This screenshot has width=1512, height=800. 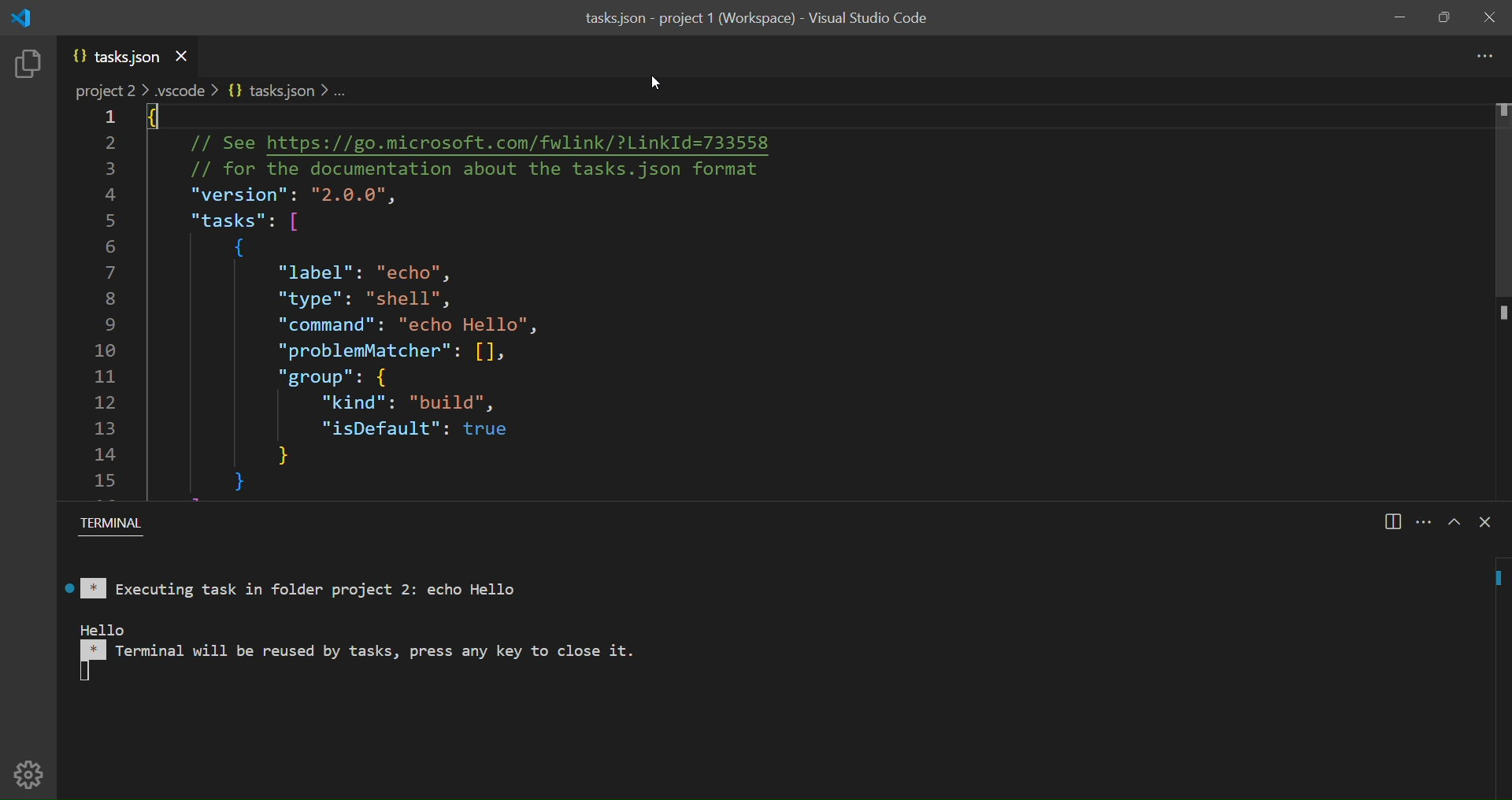 What do you see at coordinates (98, 304) in the screenshot?
I see `line number of code` at bounding box center [98, 304].